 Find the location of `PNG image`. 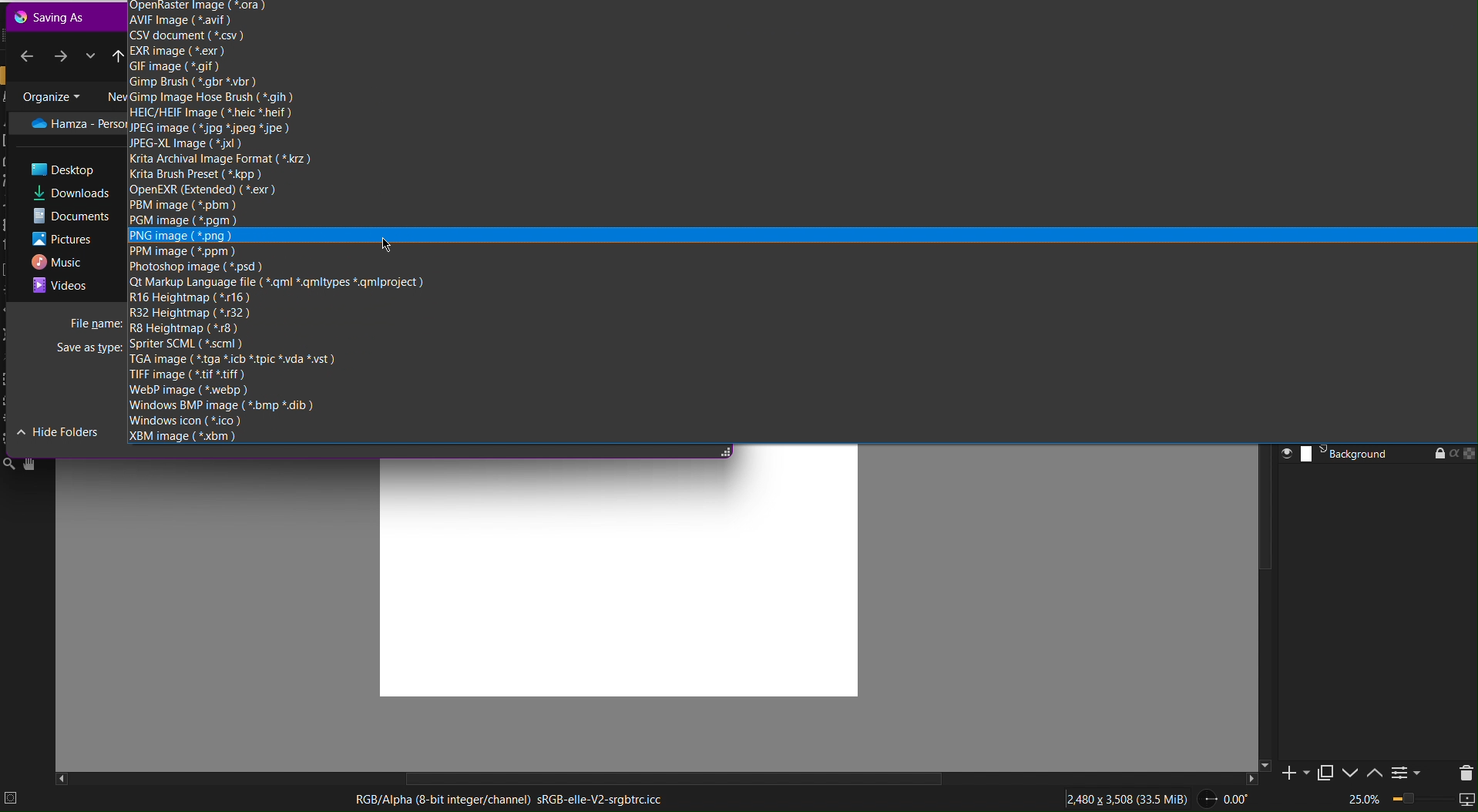

PNG image is located at coordinates (182, 237).